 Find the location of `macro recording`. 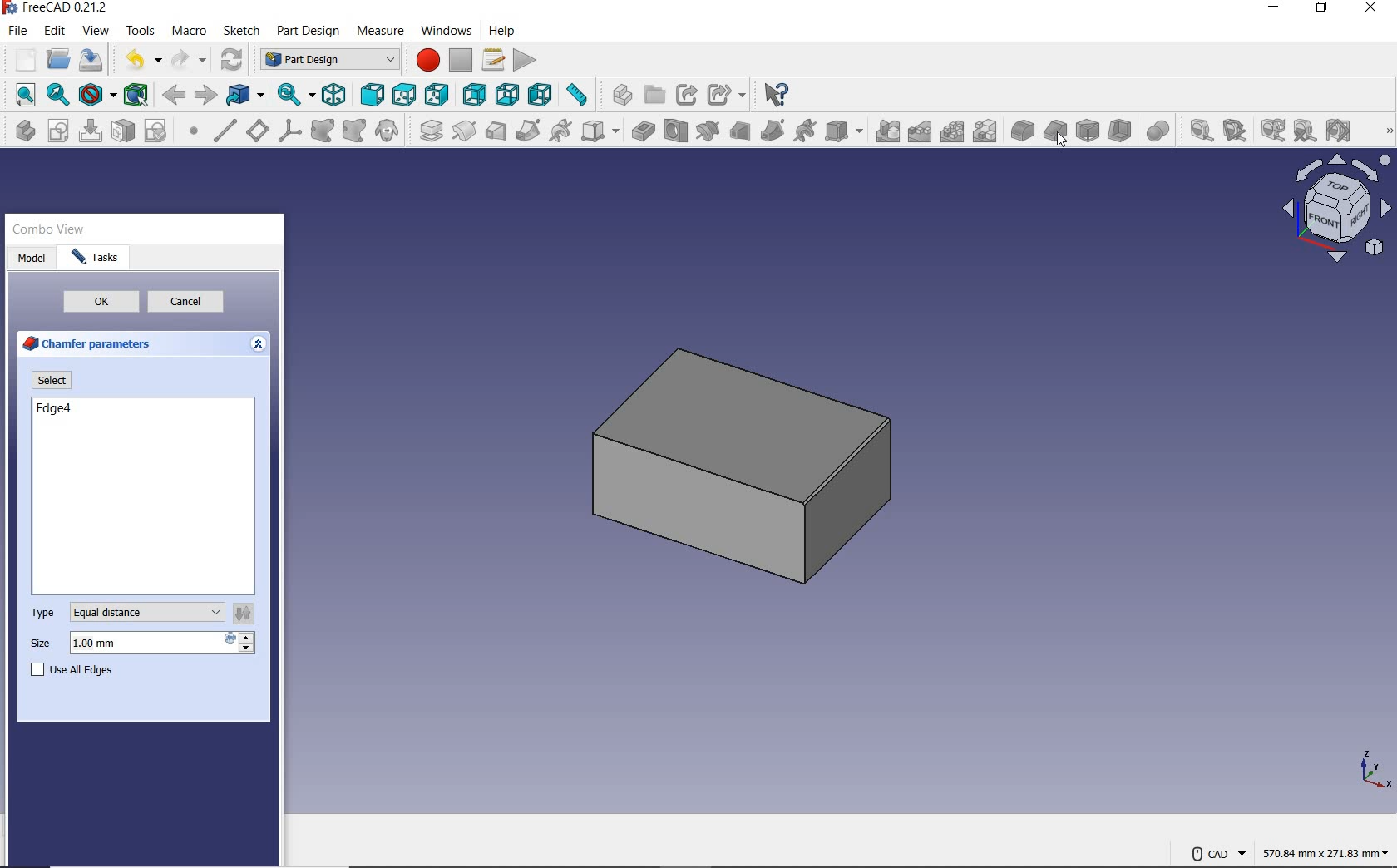

macro recording is located at coordinates (423, 61).